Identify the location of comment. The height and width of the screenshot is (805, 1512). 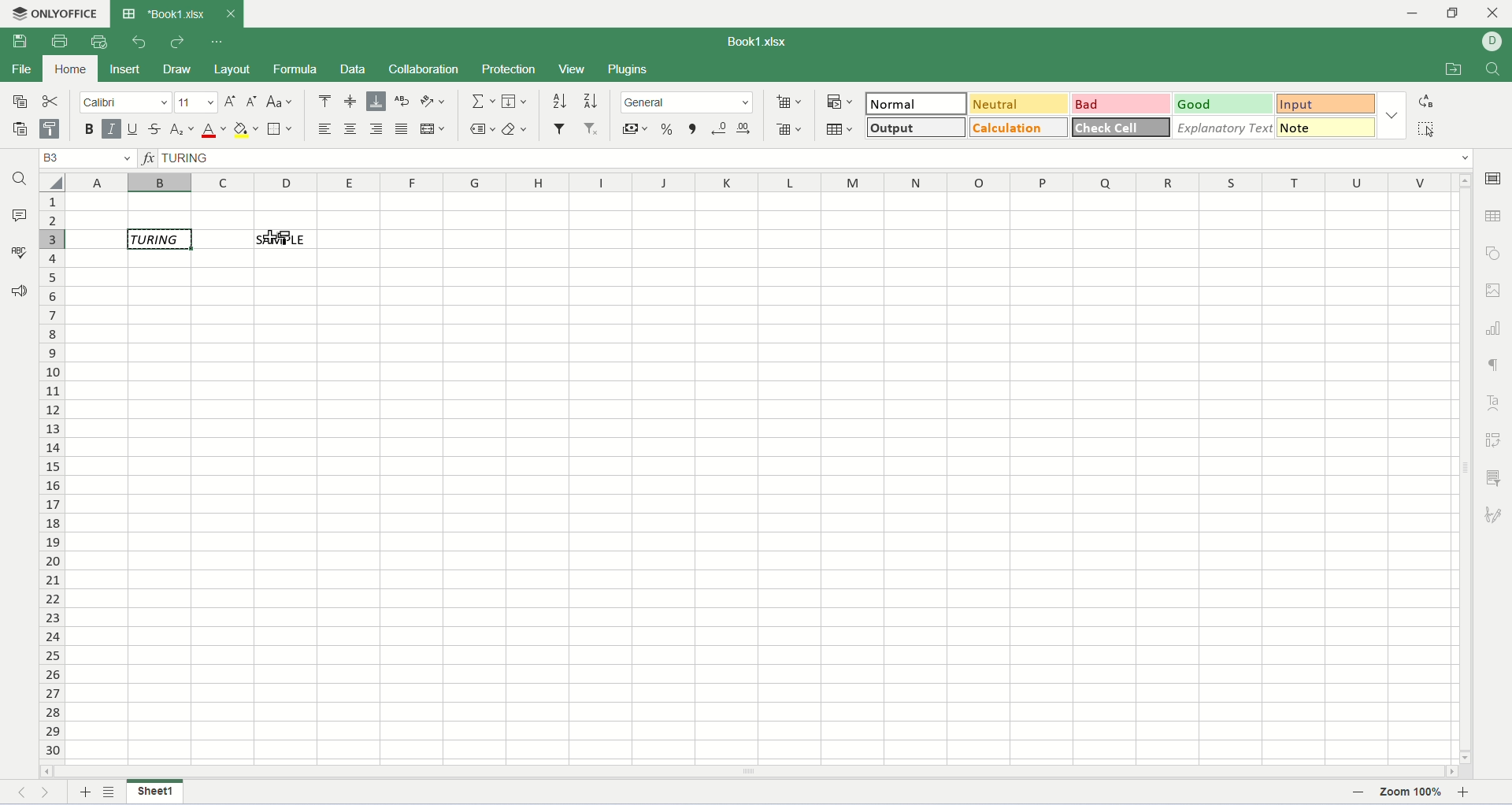
(18, 214).